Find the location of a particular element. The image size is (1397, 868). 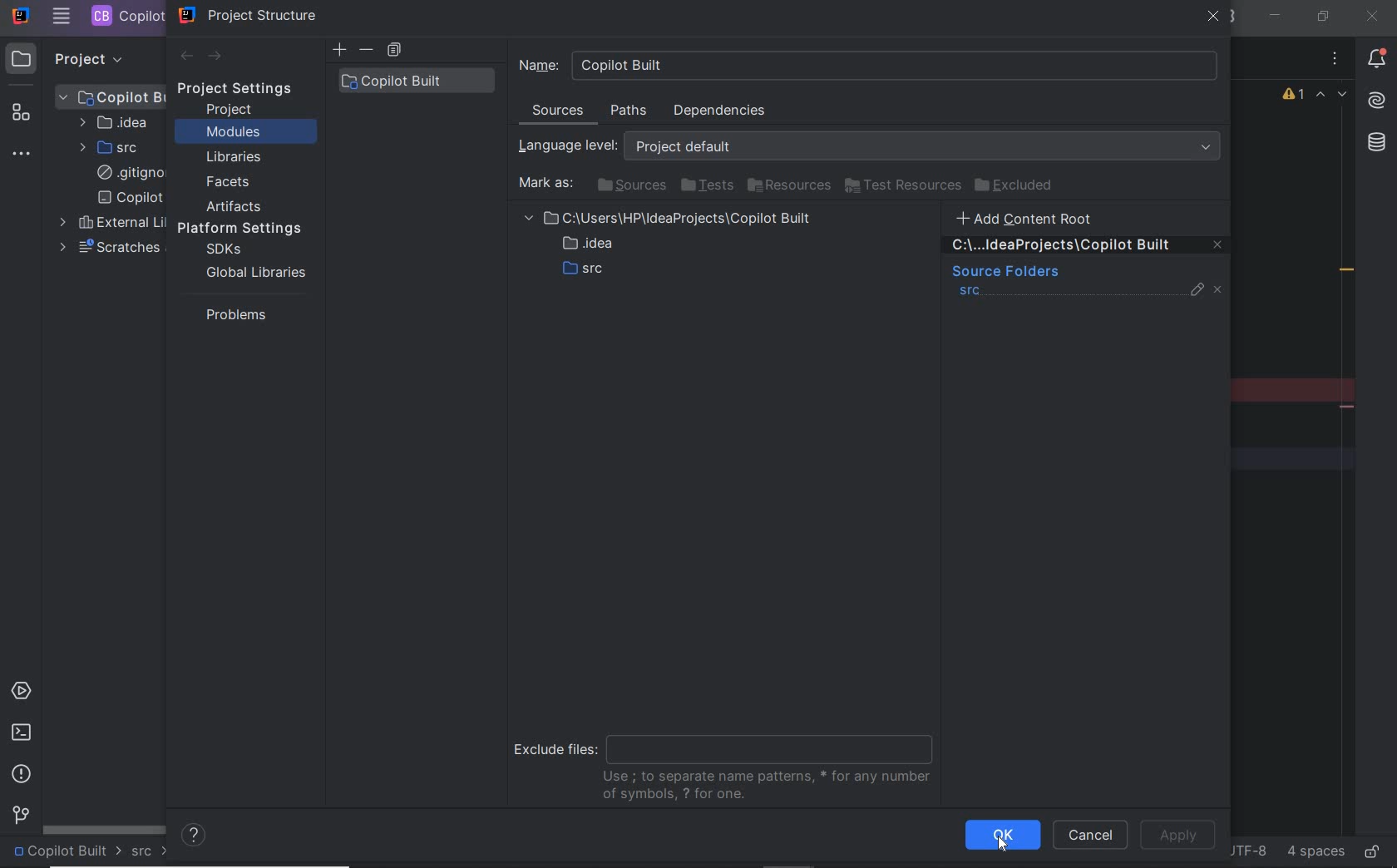

project is located at coordinates (230, 110).